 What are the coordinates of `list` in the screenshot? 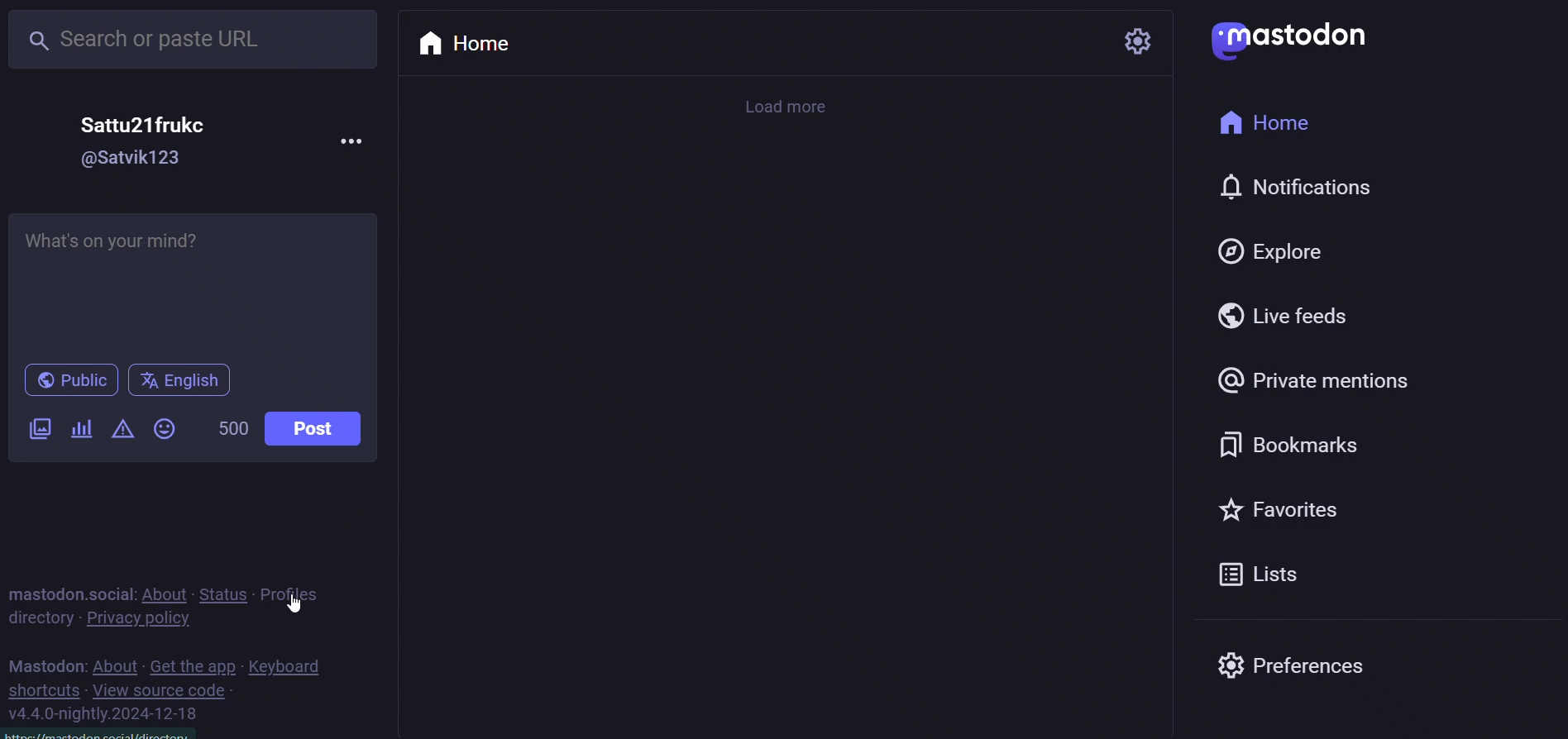 It's located at (1270, 572).